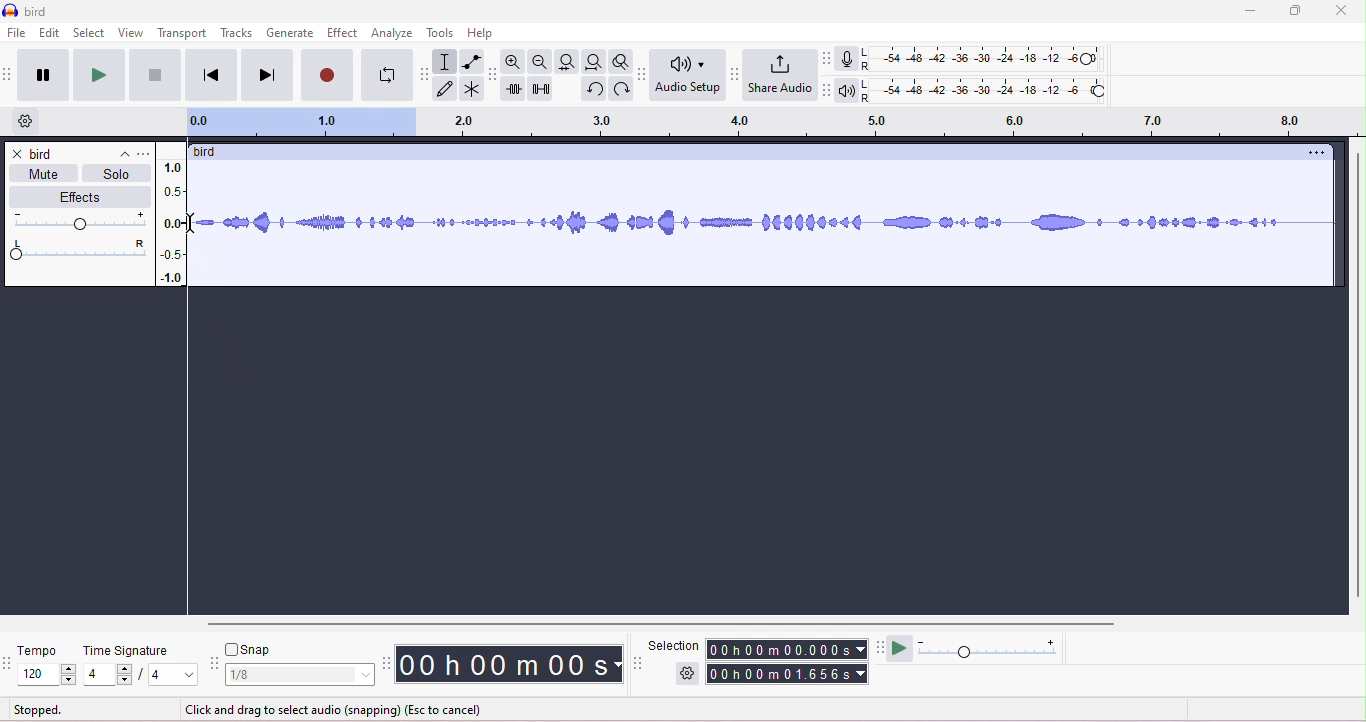  I want to click on time signature, so click(129, 650).